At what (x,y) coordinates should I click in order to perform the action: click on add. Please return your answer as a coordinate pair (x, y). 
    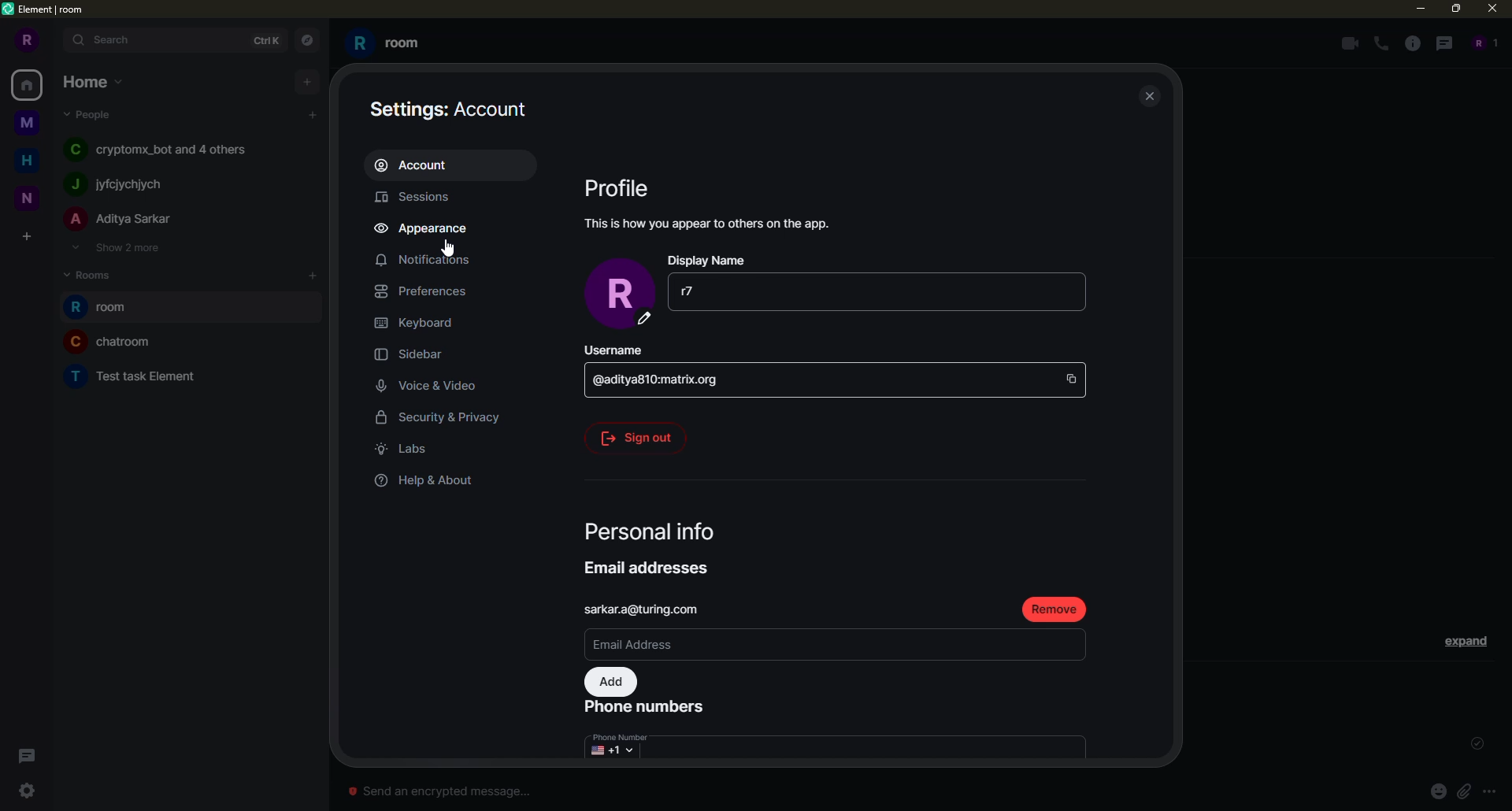
    Looking at the image, I should click on (613, 682).